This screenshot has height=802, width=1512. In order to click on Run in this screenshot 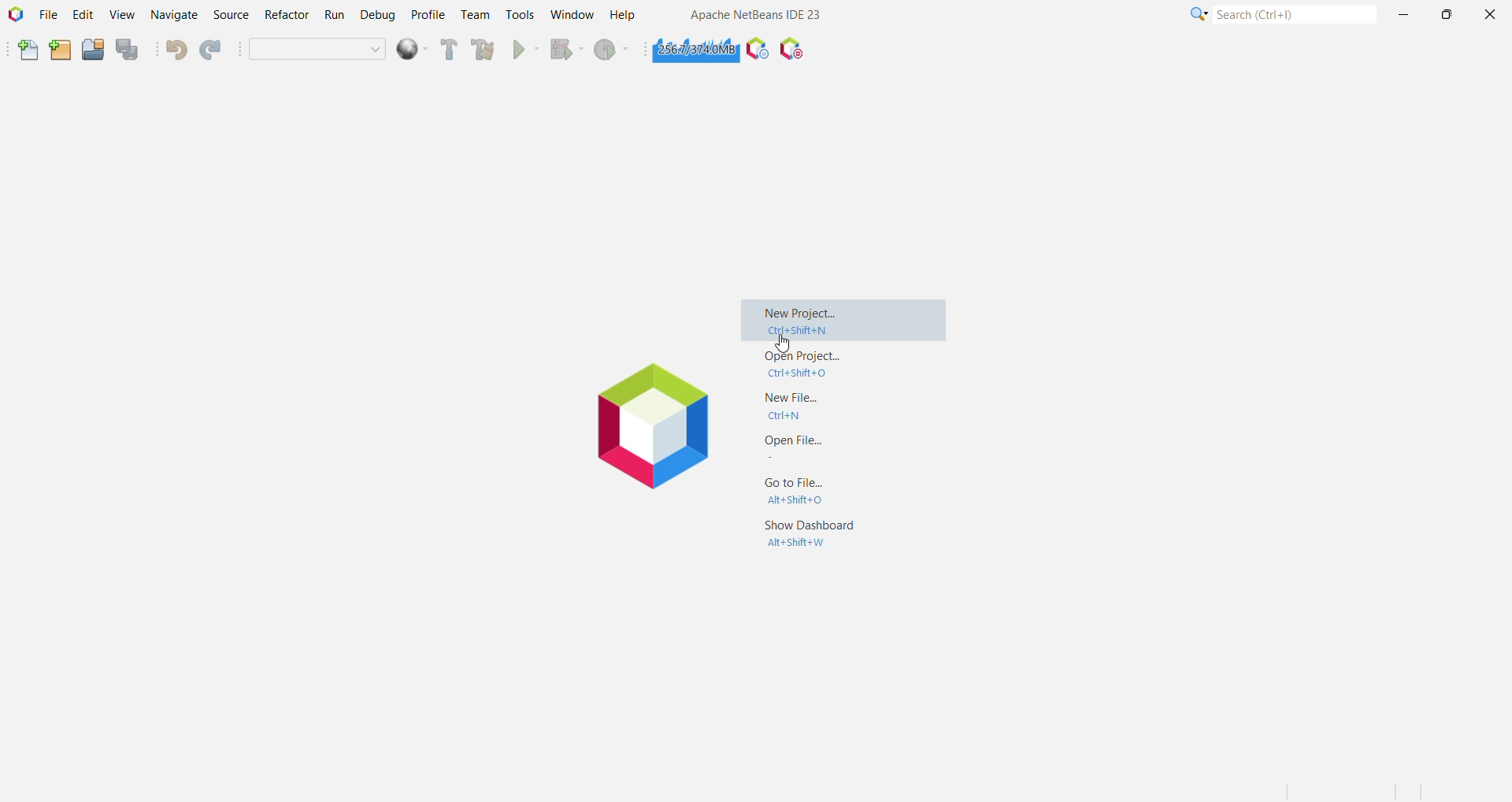, I will do `click(335, 16)`.